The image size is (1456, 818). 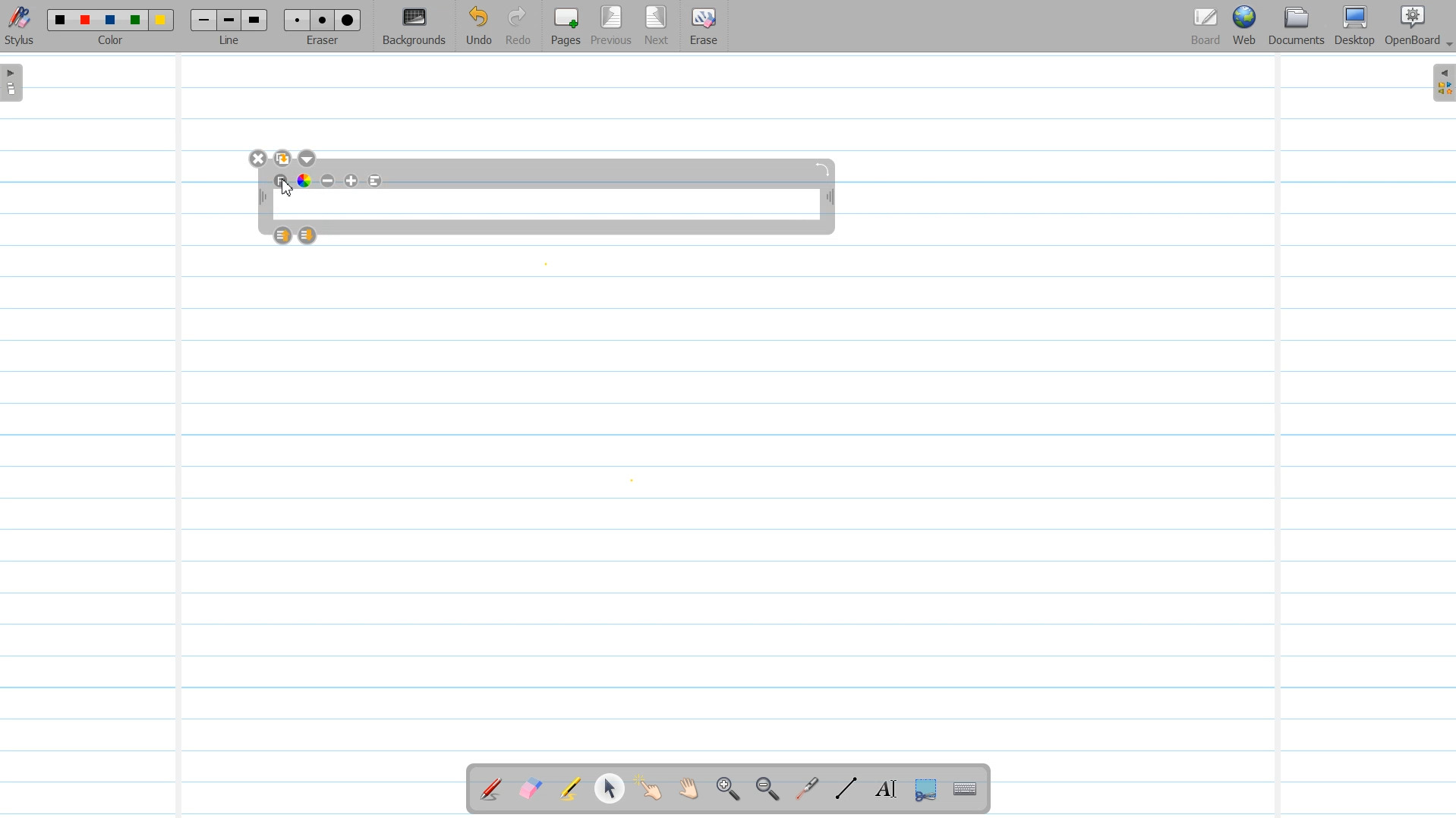 I want to click on Close Window, so click(x=259, y=159).